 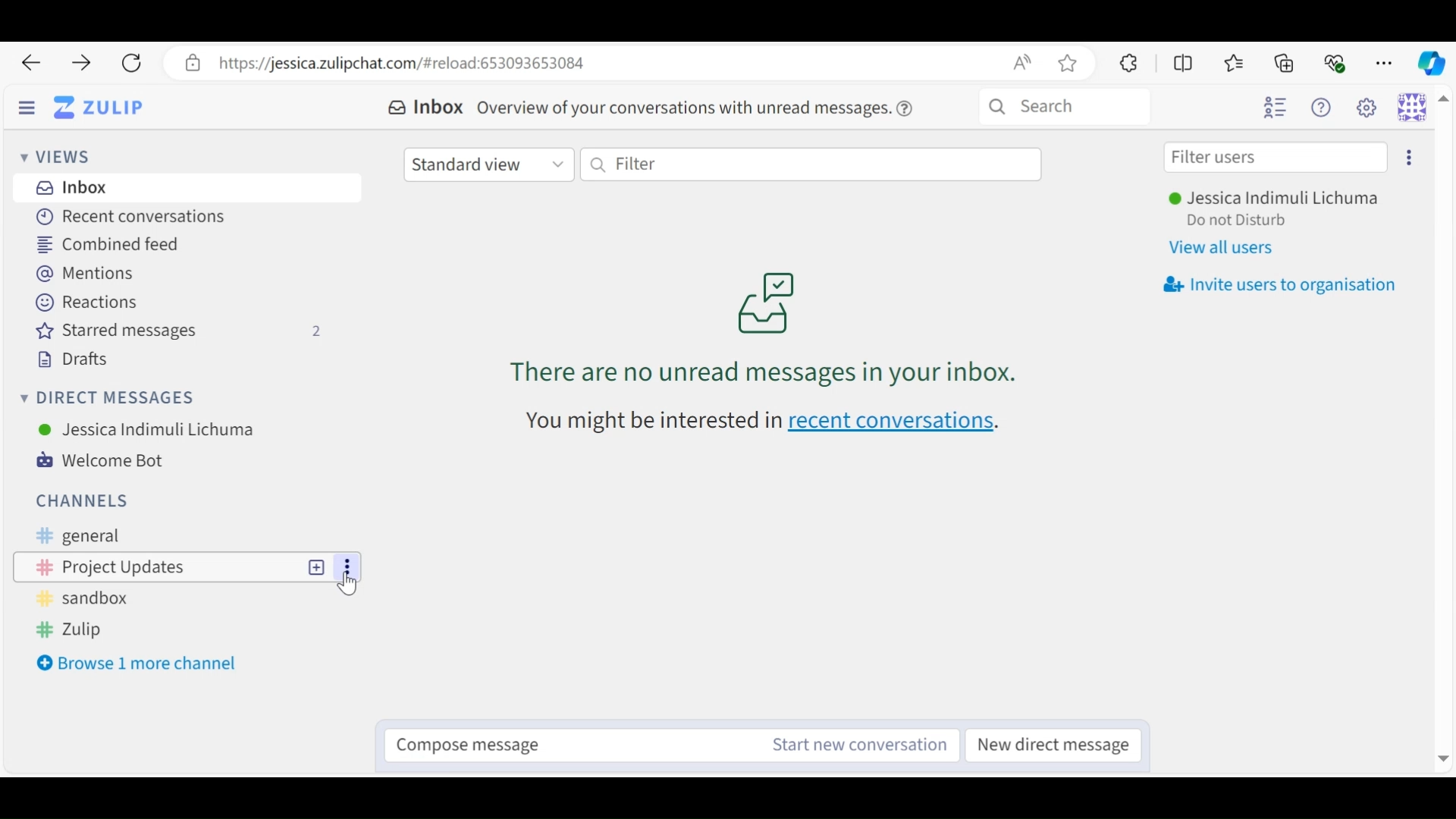 I want to click on New direct message, so click(x=1058, y=745).